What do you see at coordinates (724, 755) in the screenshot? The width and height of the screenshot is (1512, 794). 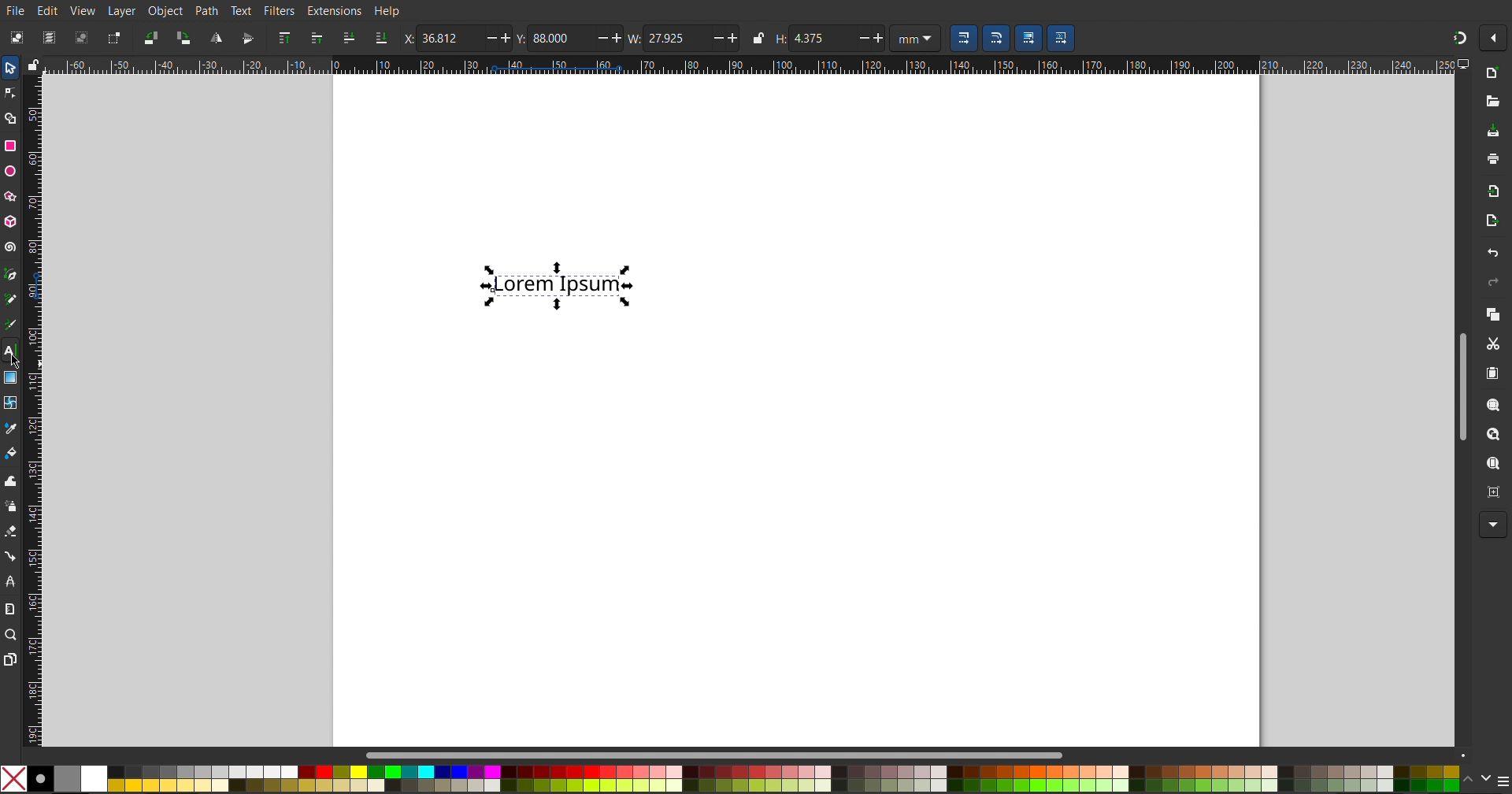 I see `Scrollbar` at bounding box center [724, 755].